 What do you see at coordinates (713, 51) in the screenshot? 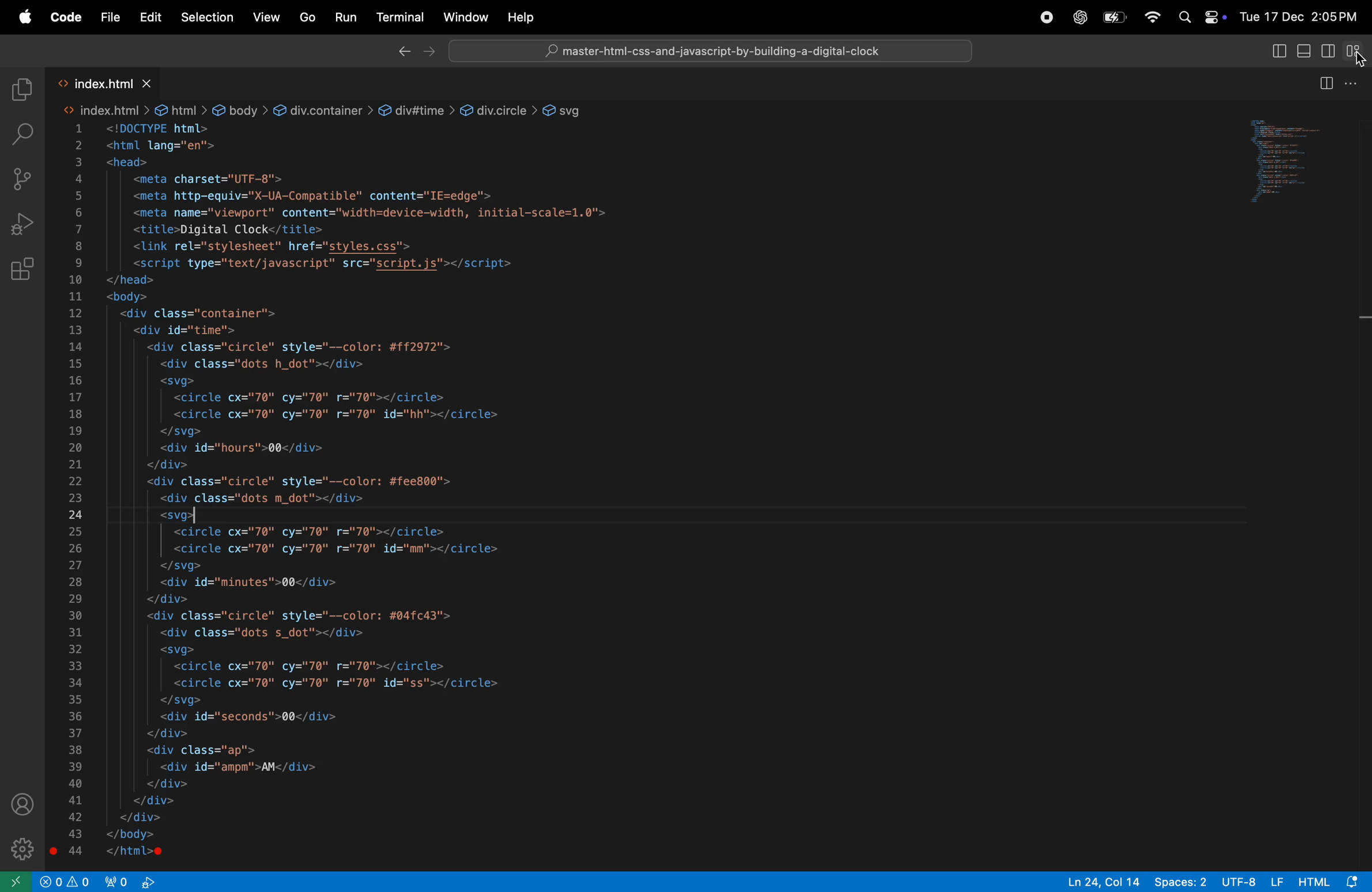
I see `Search Bar` at bounding box center [713, 51].